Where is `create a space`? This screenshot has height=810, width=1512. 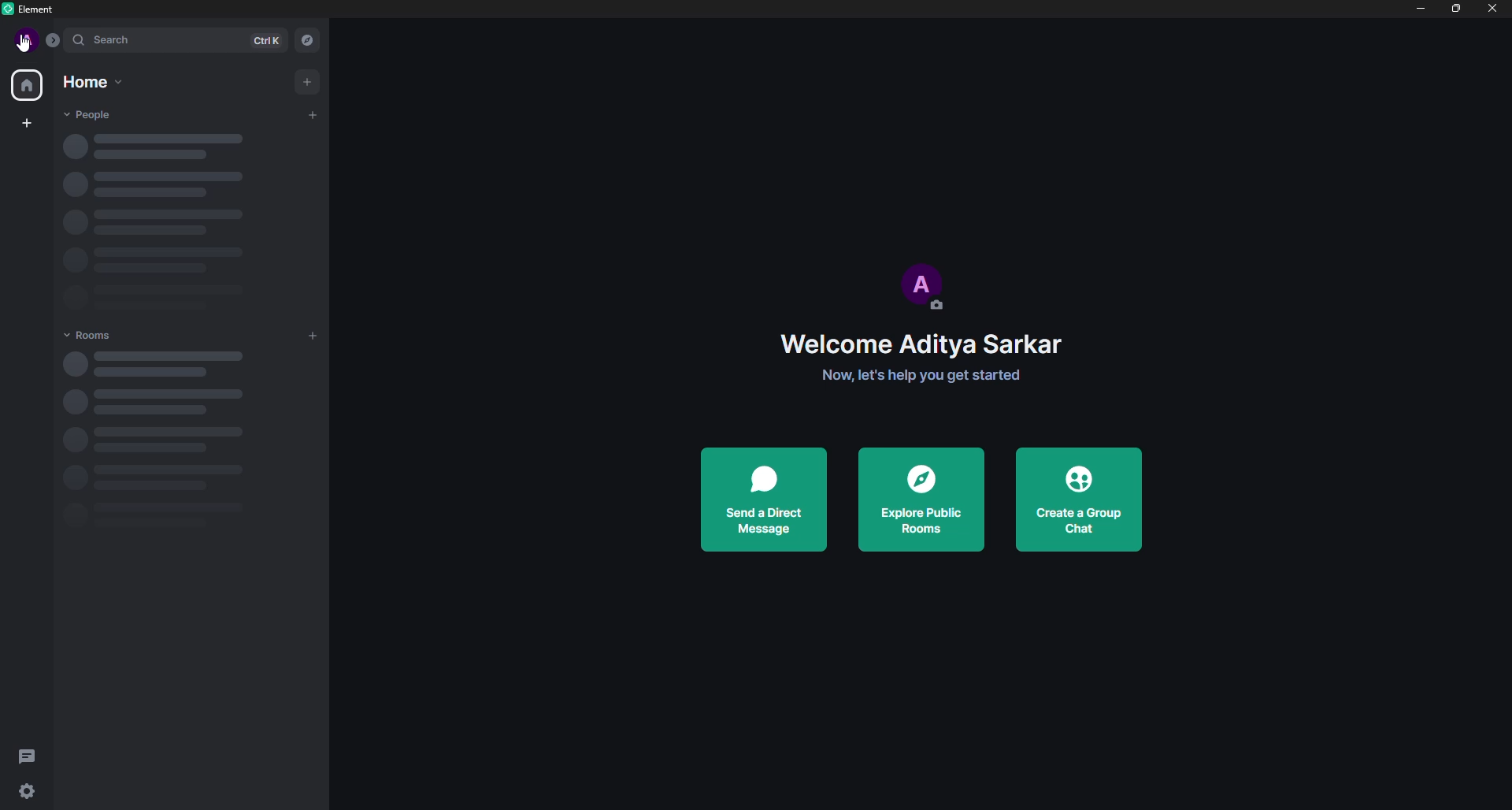
create a space is located at coordinates (29, 124).